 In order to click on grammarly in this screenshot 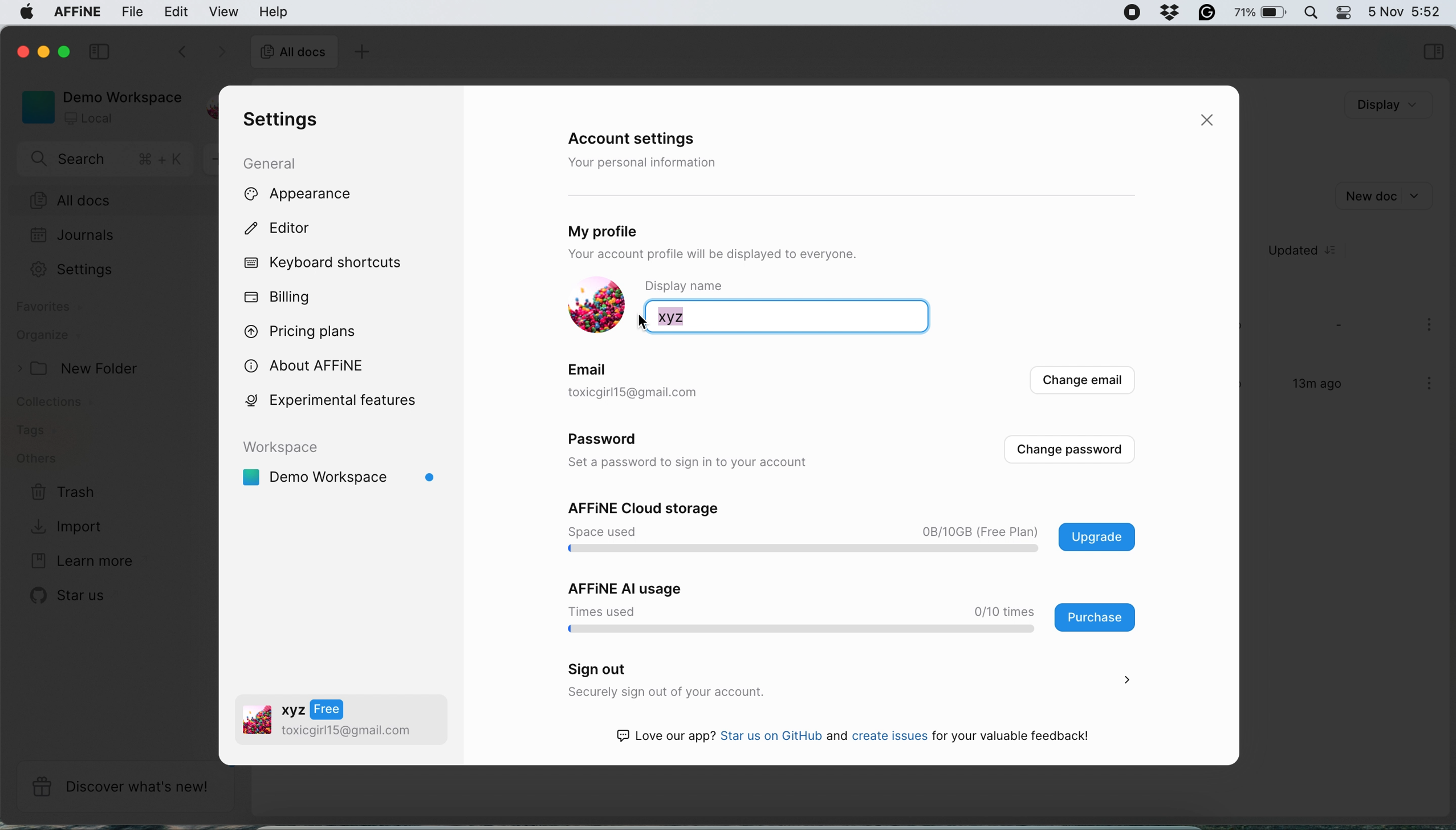, I will do `click(1204, 11)`.